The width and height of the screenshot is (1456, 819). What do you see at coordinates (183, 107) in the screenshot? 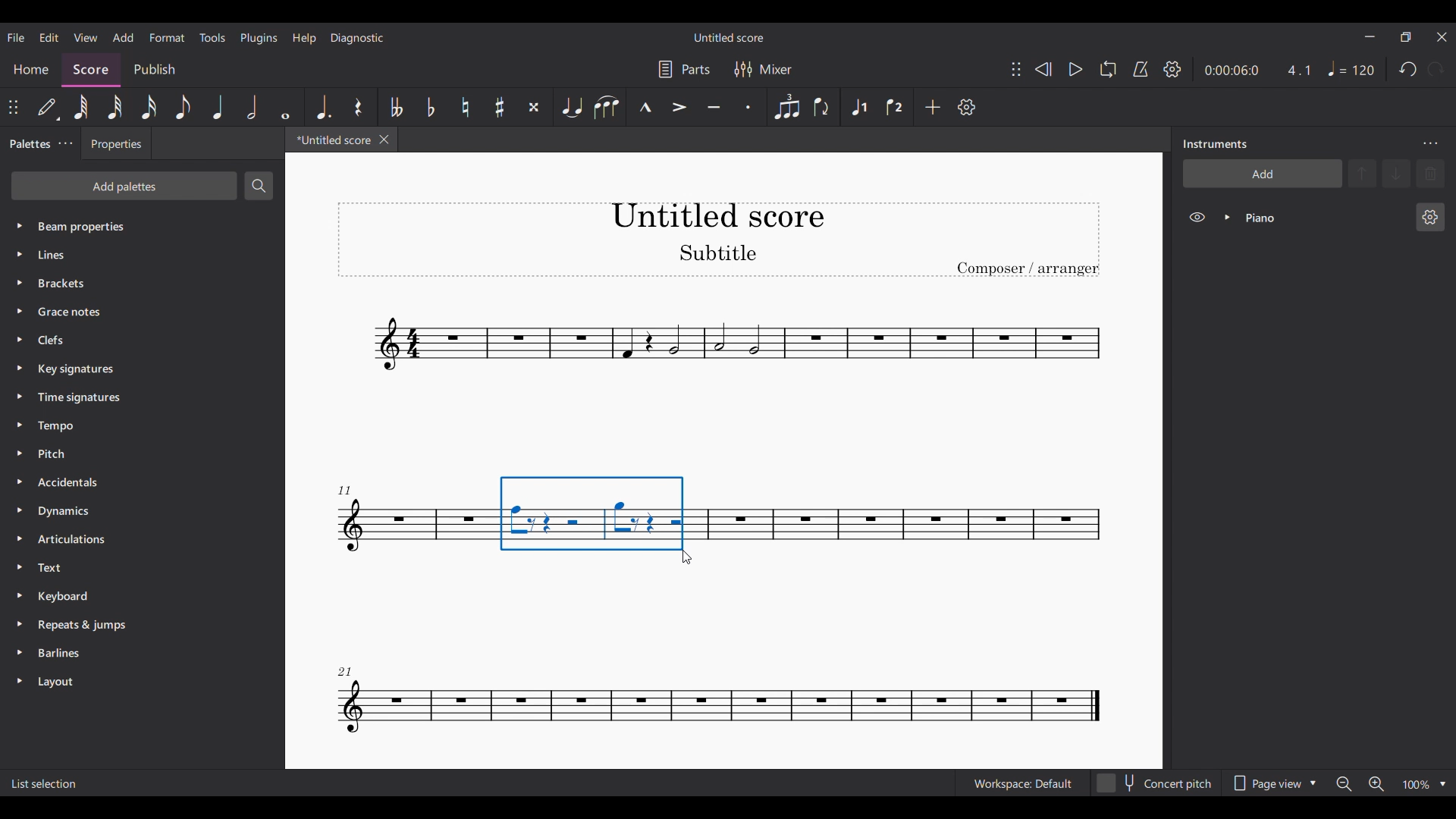
I see `8th note` at bounding box center [183, 107].